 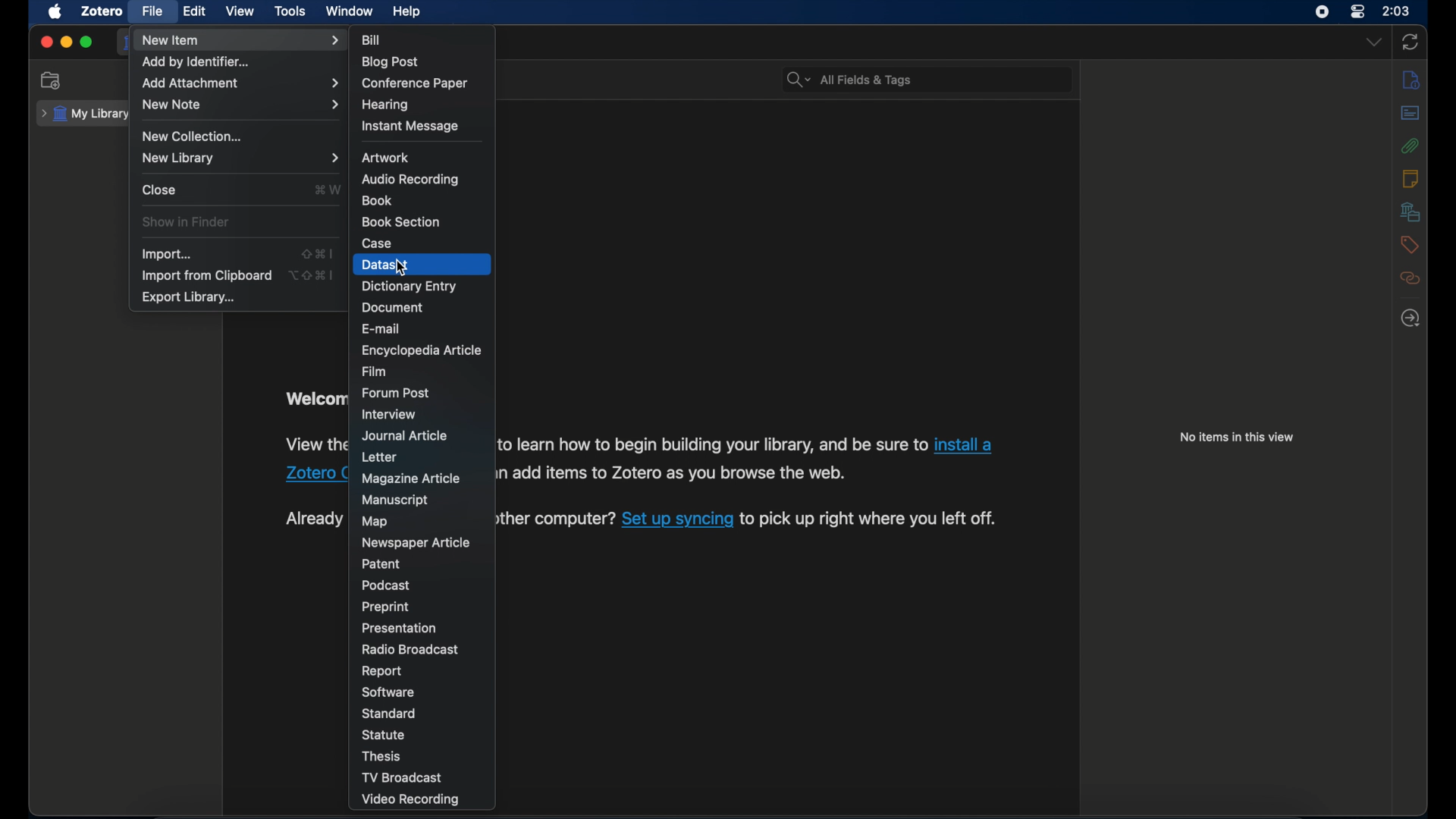 What do you see at coordinates (399, 627) in the screenshot?
I see `presentation` at bounding box center [399, 627].